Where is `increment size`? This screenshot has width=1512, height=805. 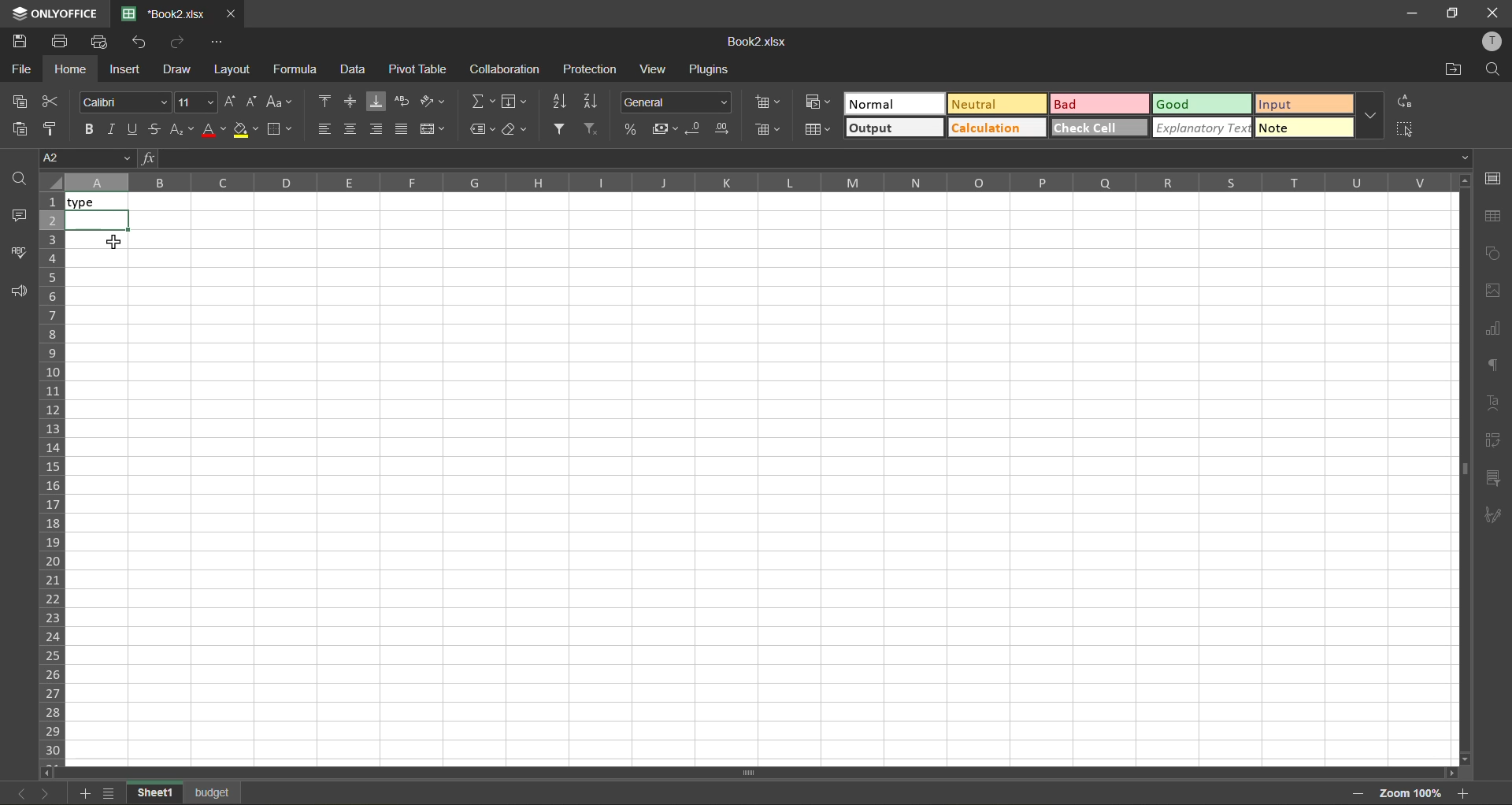
increment size is located at coordinates (228, 102).